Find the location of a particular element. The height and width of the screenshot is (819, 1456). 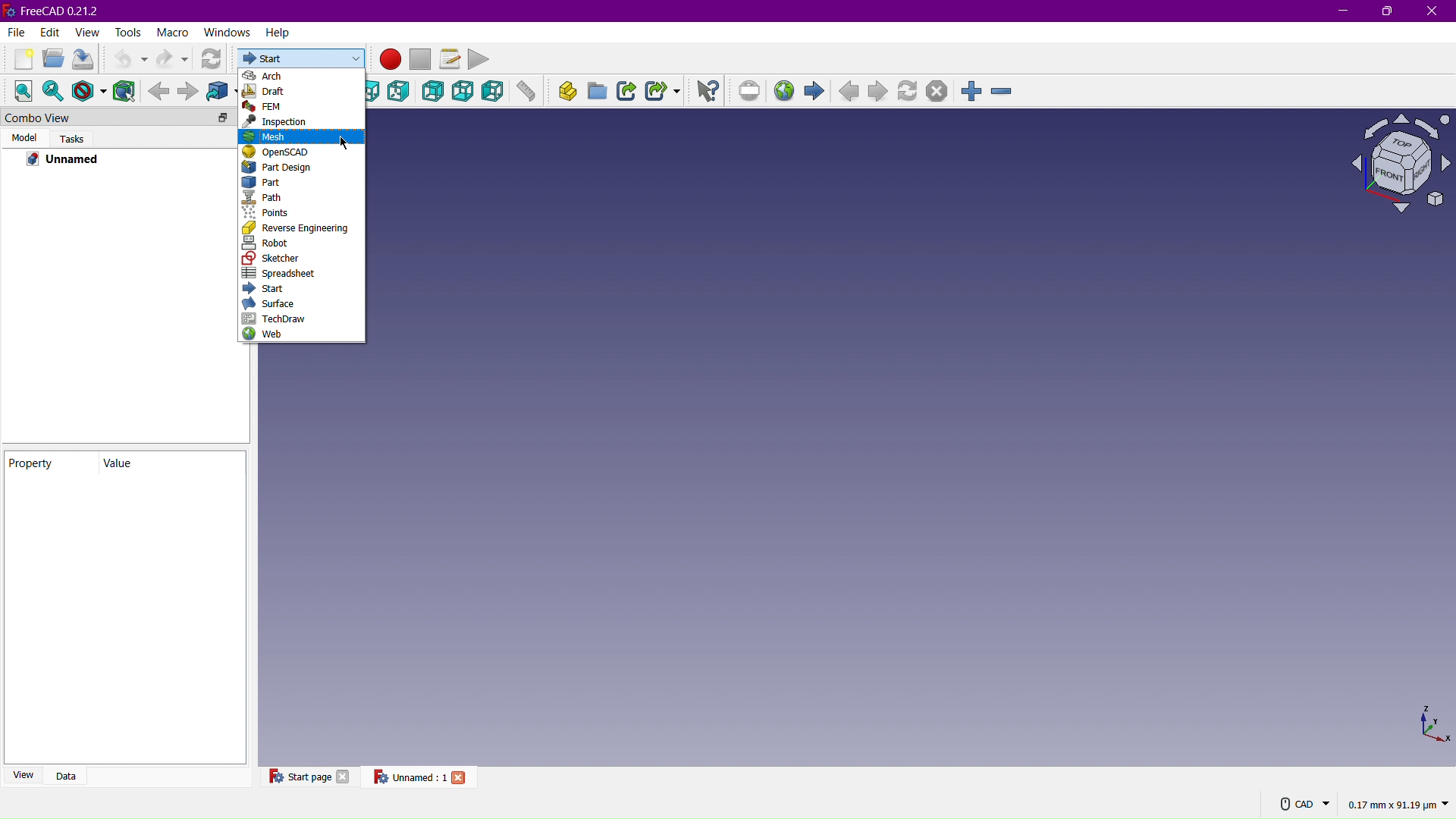

Refresh webpage is located at coordinates (910, 93).